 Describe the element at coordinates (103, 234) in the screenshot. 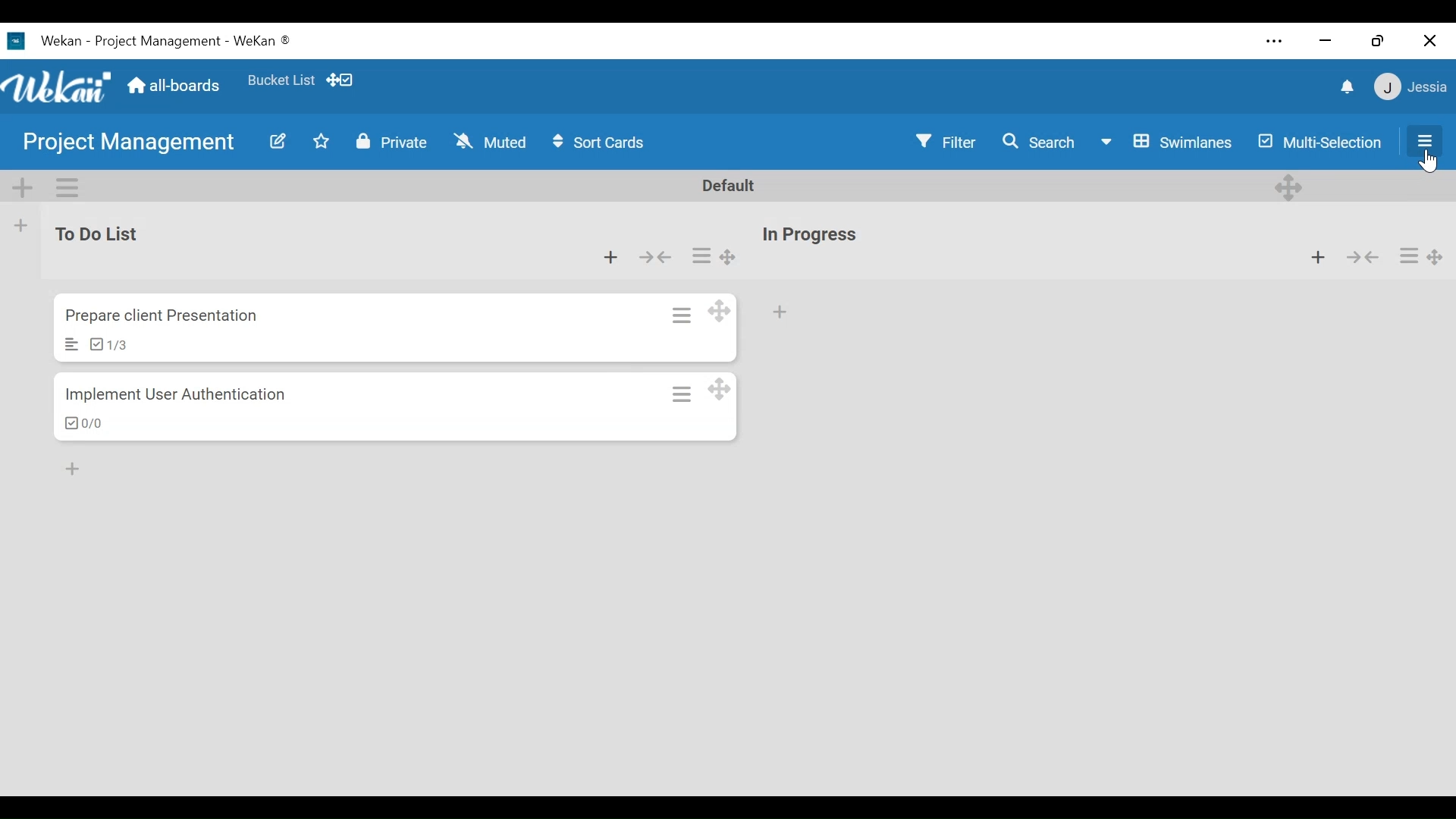

I see `List Name` at that location.